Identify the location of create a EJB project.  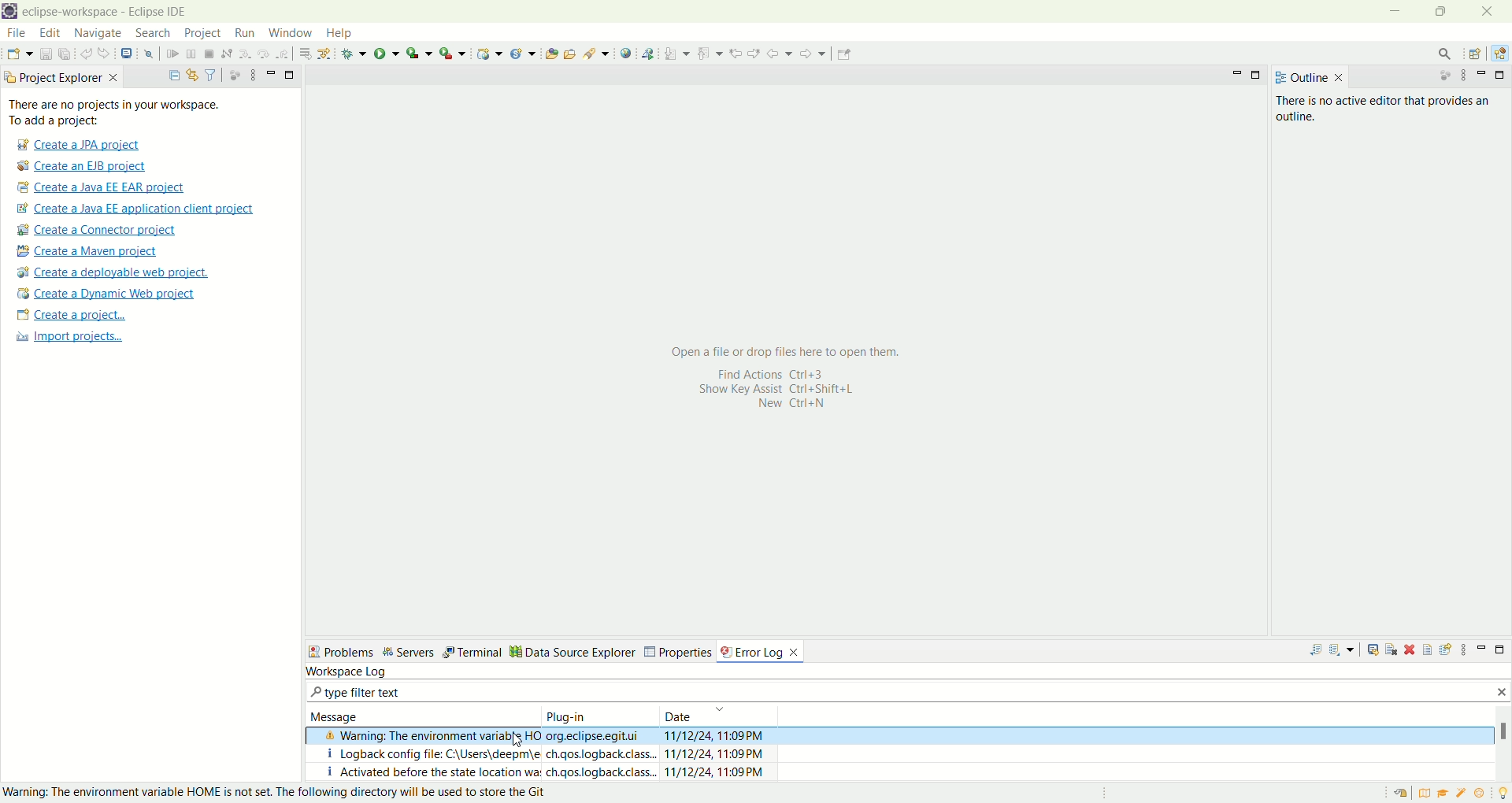
(85, 166).